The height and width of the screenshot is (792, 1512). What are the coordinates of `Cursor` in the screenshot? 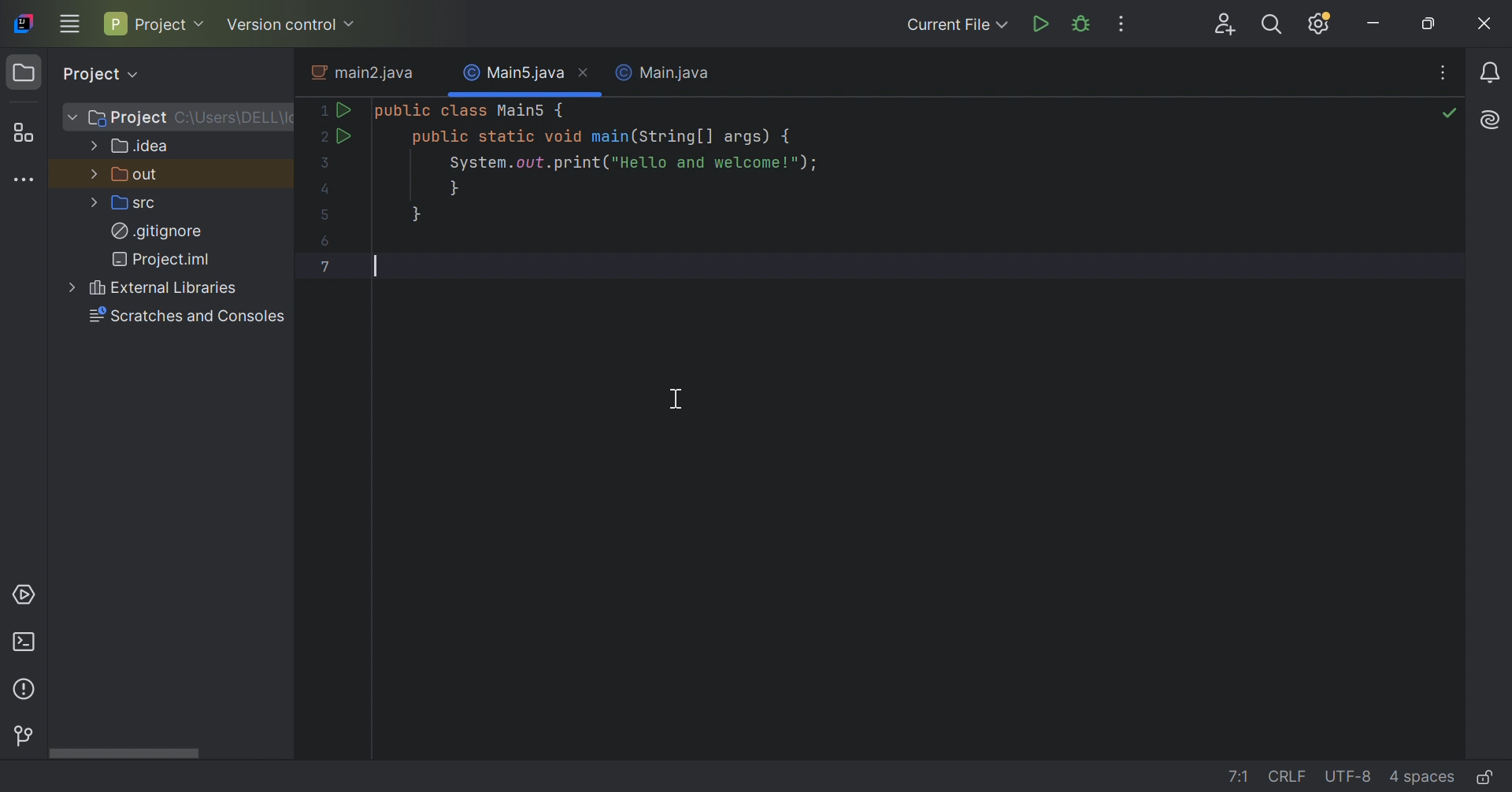 It's located at (678, 400).